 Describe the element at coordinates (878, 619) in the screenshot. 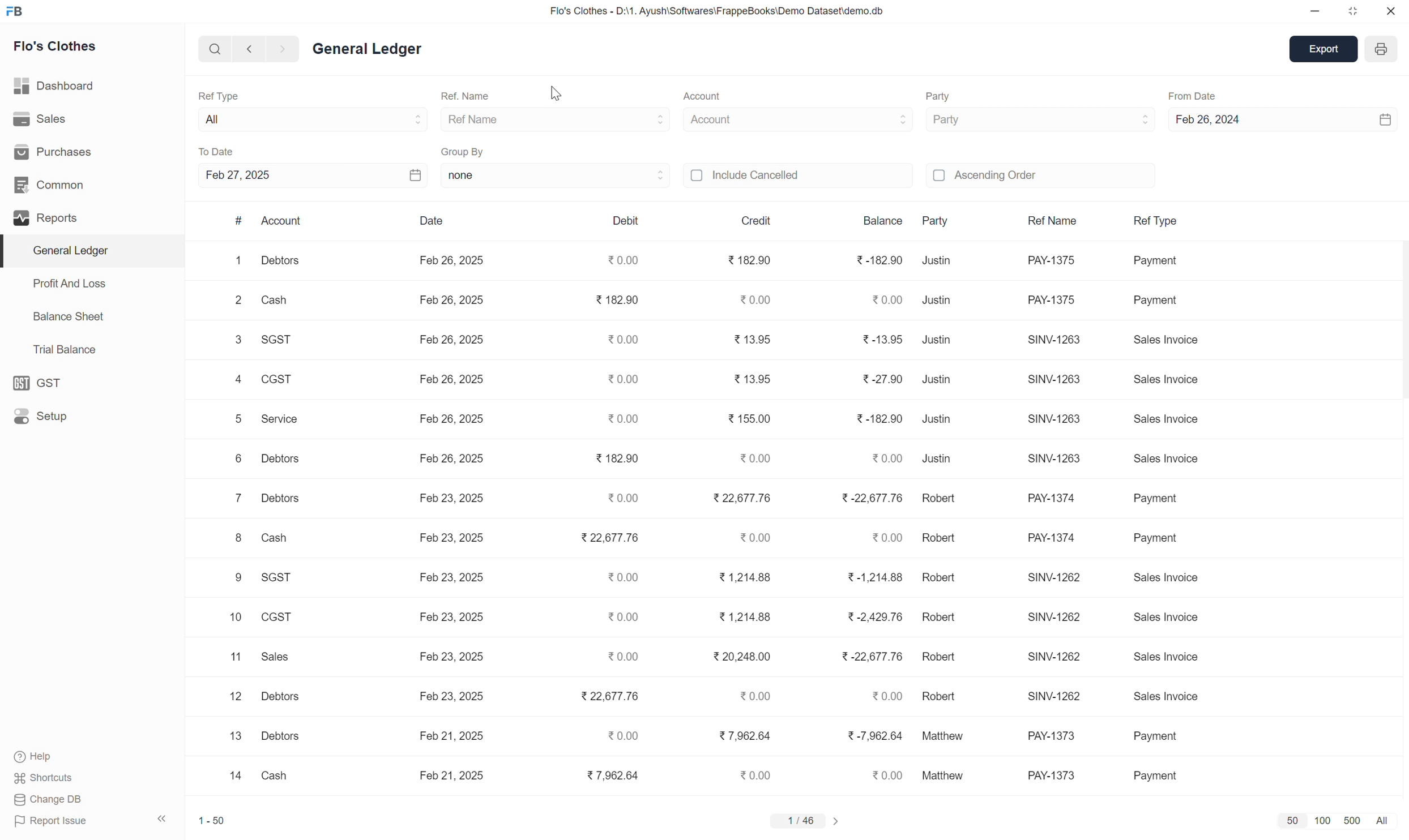

I see `-2,429.76` at that location.